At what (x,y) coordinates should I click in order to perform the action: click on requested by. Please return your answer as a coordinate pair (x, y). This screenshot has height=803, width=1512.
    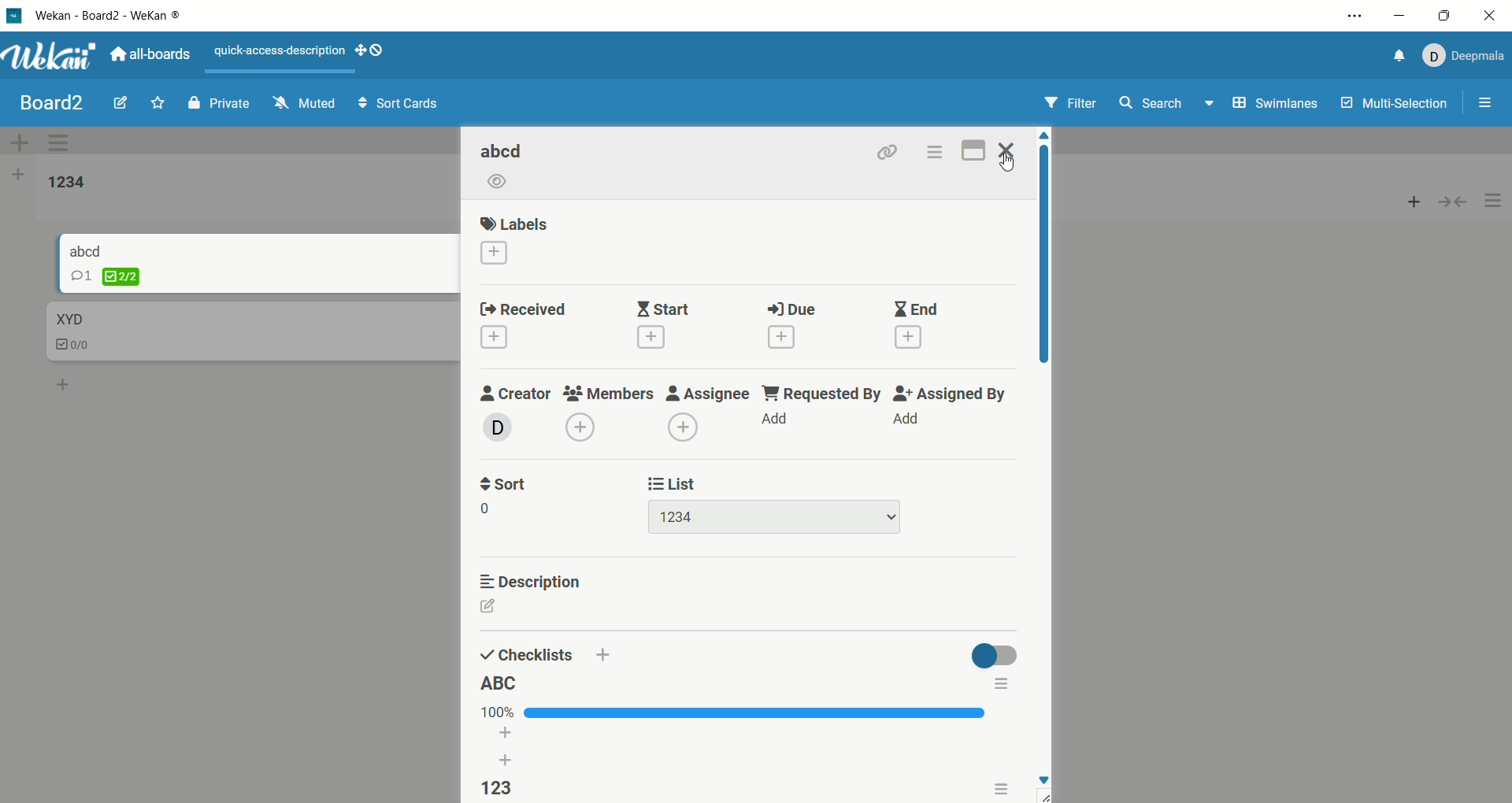
    Looking at the image, I should click on (820, 401).